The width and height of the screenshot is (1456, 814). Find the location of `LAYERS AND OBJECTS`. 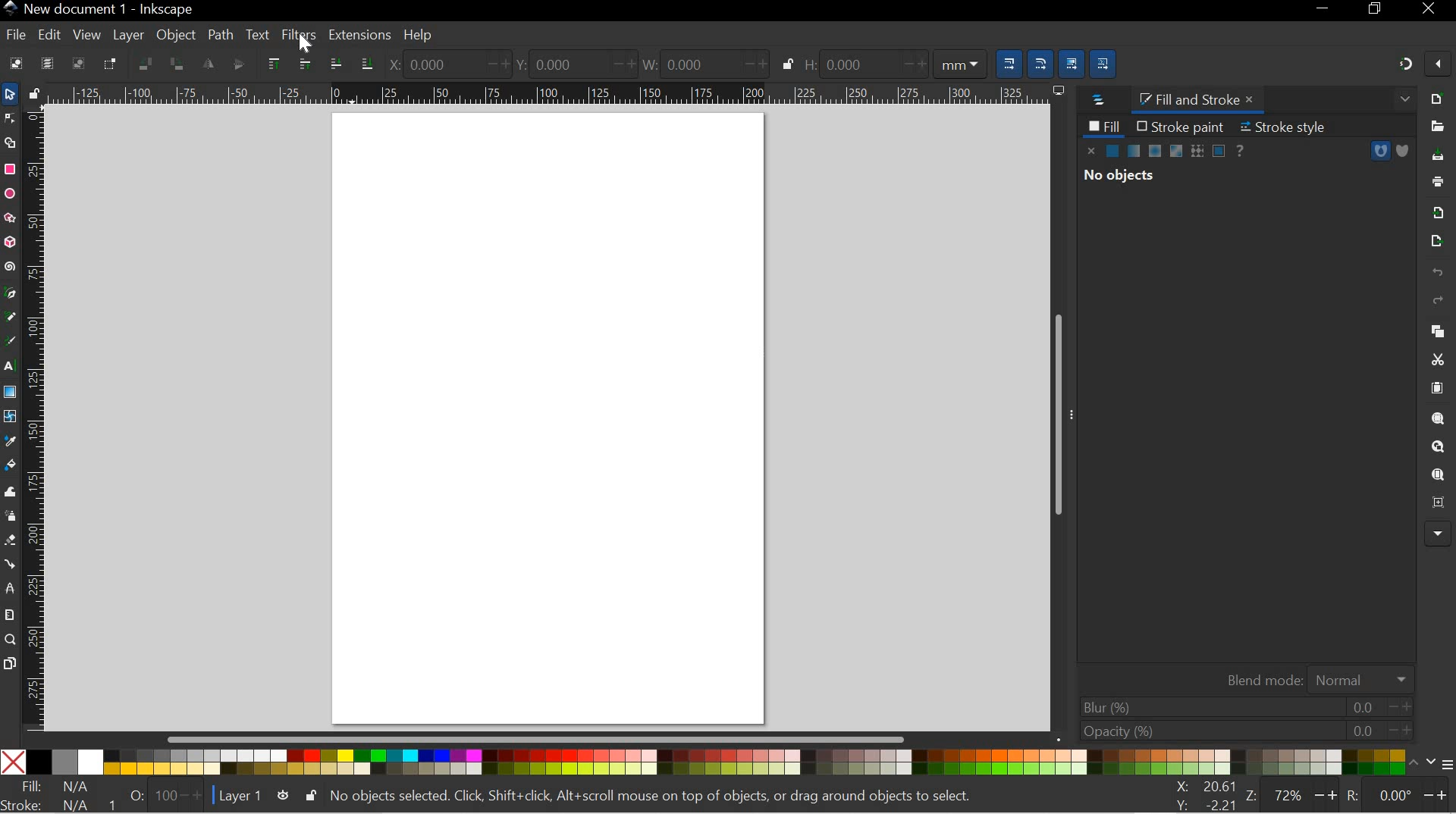

LAYERS AND OBJECTS is located at coordinates (1096, 101).